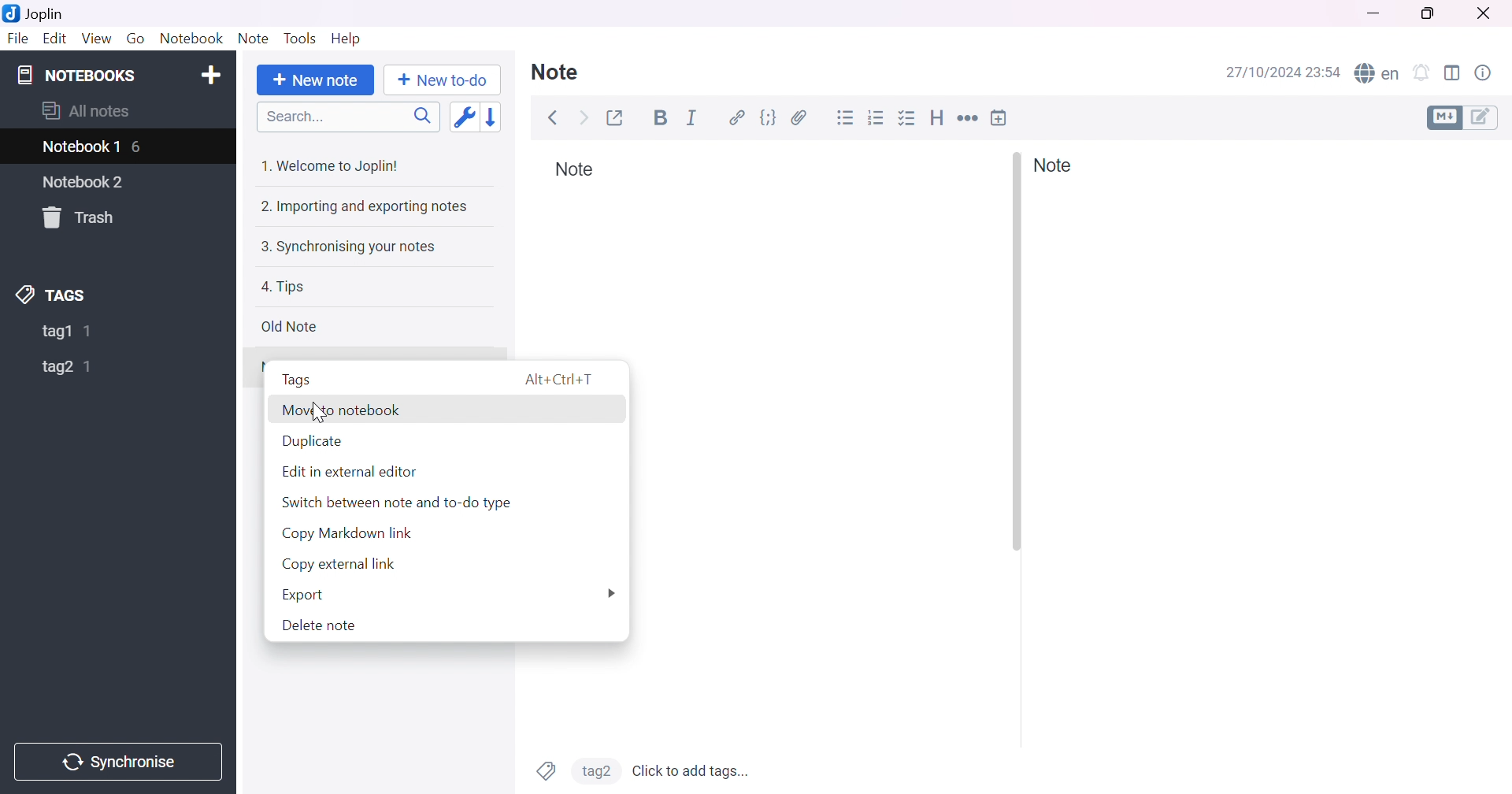 Image resolution: width=1512 pixels, height=794 pixels. Describe the element at coordinates (799, 119) in the screenshot. I see `Attach file` at that location.